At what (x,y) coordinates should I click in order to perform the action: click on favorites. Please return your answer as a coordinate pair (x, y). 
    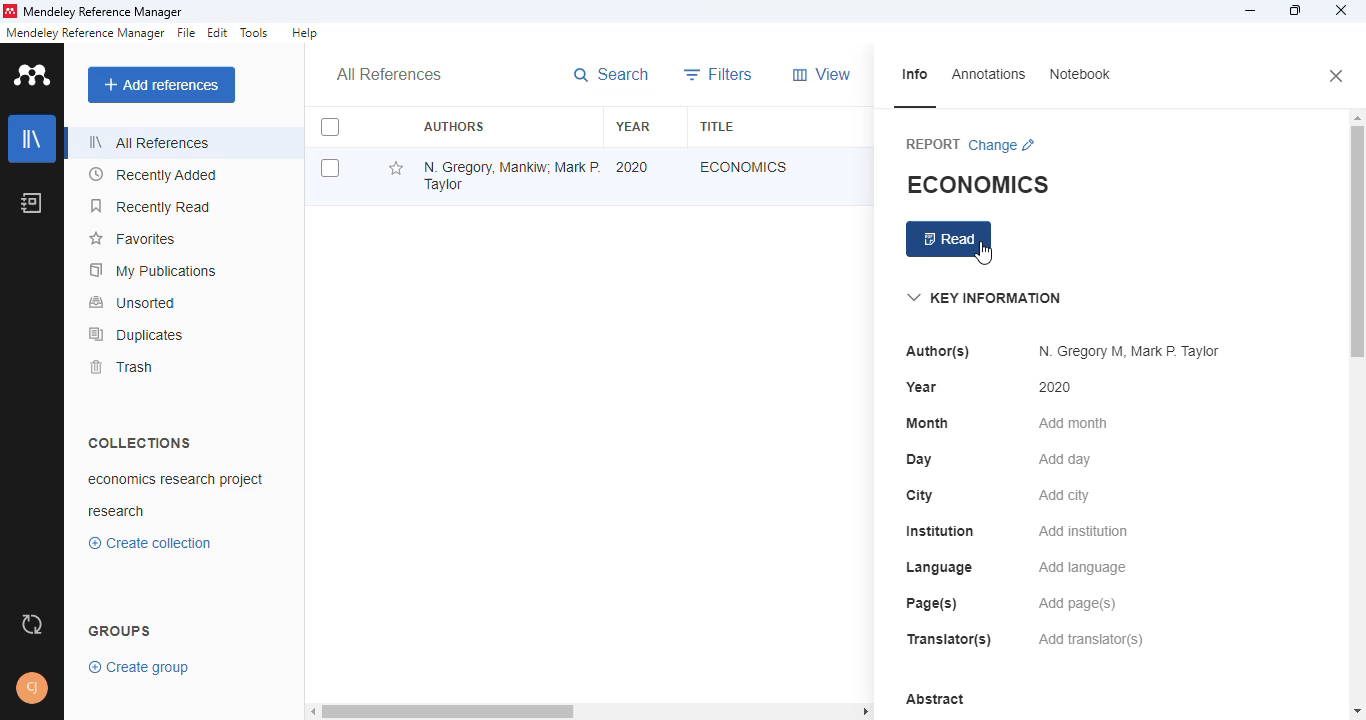
    Looking at the image, I should click on (135, 238).